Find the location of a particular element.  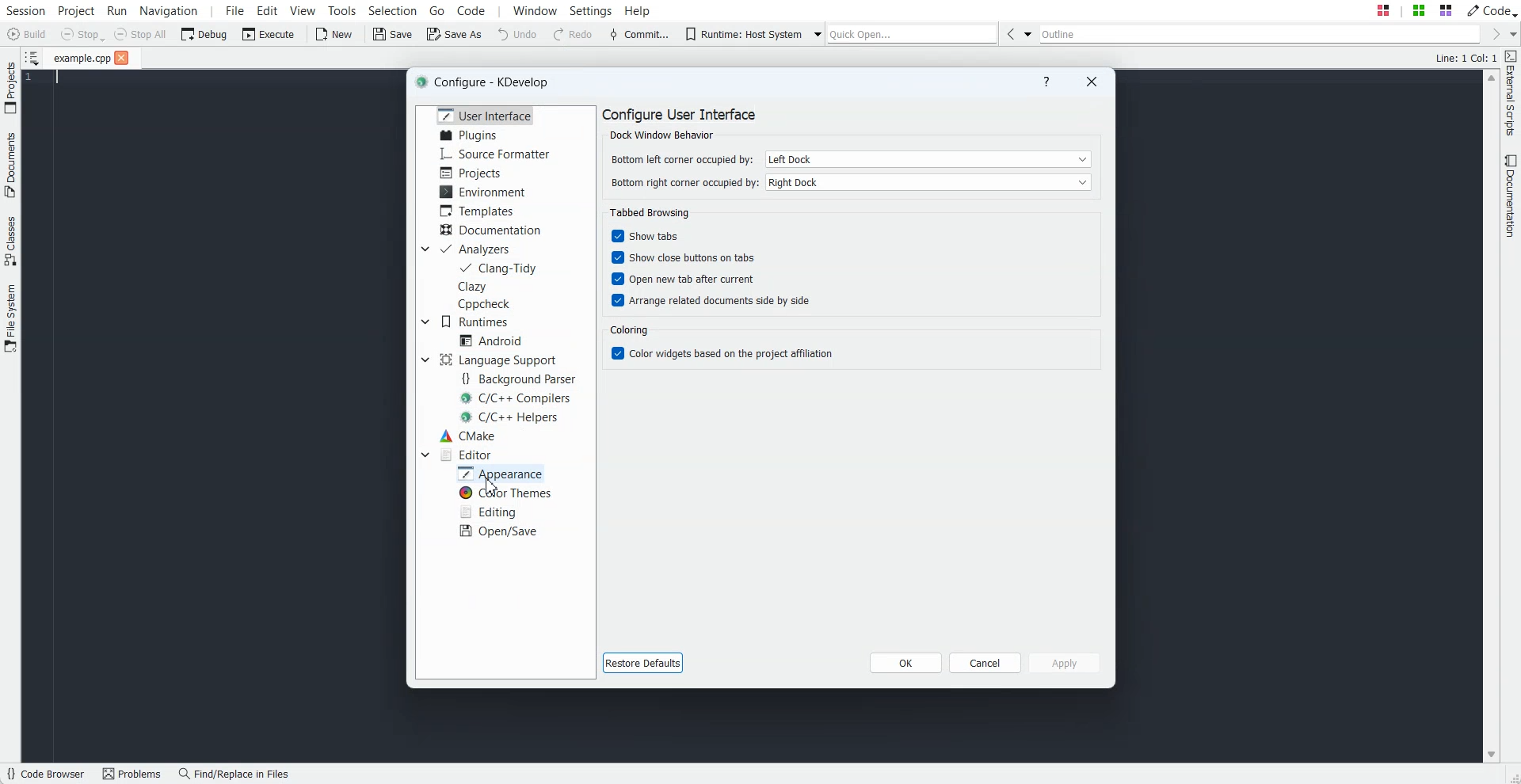

Code Browser is located at coordinates (48, 774).